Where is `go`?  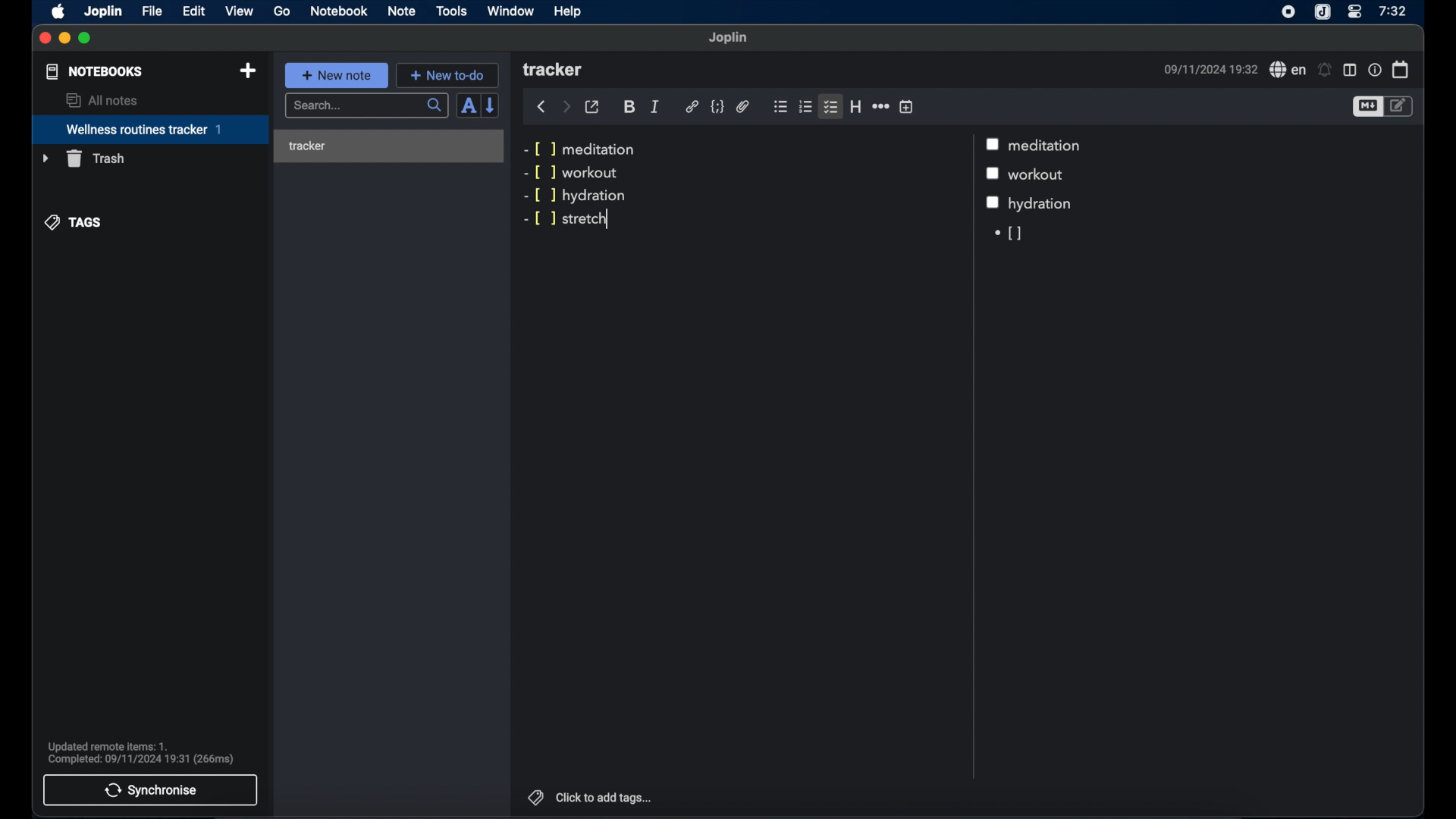
go is located at coordinates (282, 11).